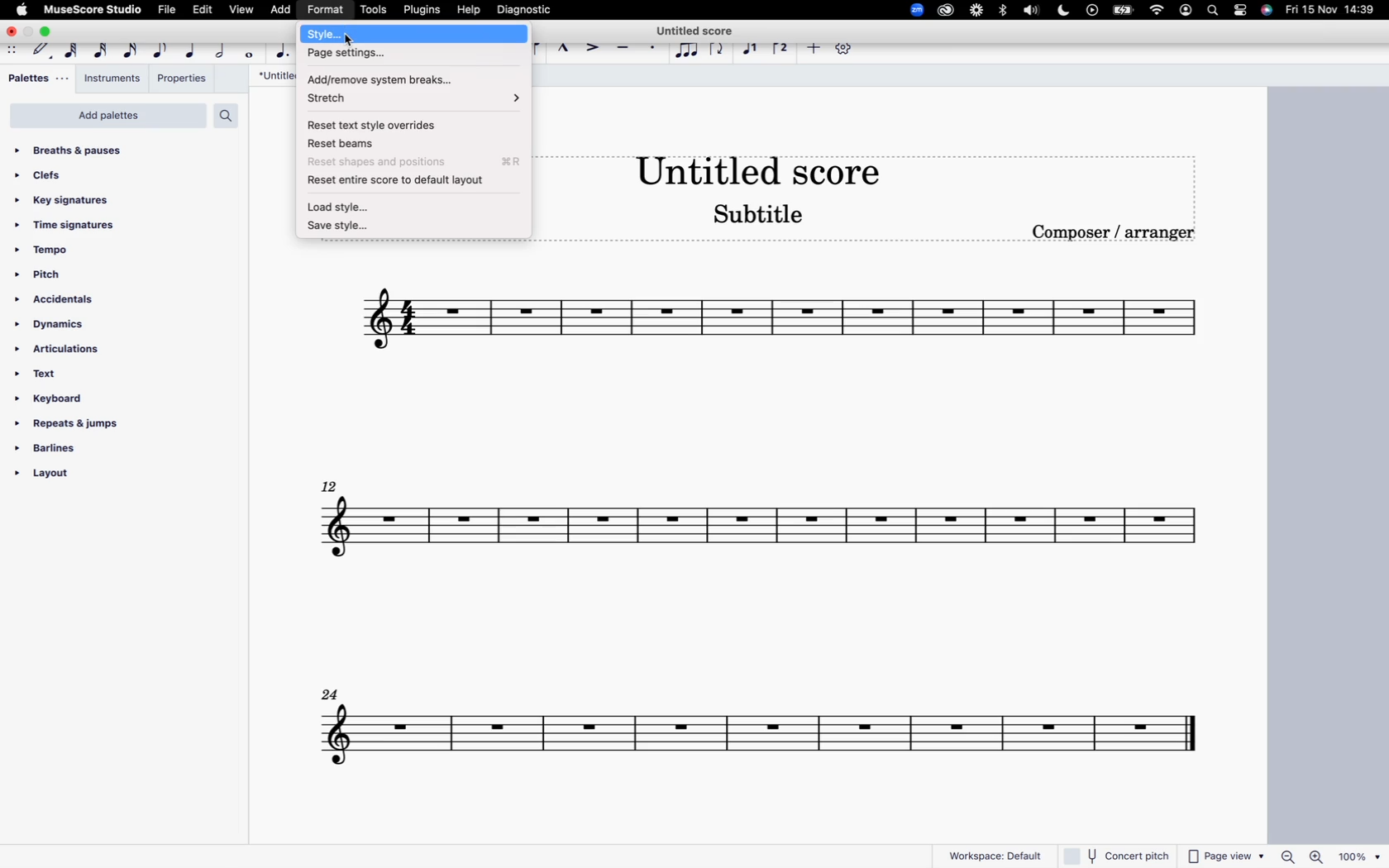  What do you see at coordinates (528, 10) in the screenshot?
I see `diagnostic` at bounding box center [528, 10].